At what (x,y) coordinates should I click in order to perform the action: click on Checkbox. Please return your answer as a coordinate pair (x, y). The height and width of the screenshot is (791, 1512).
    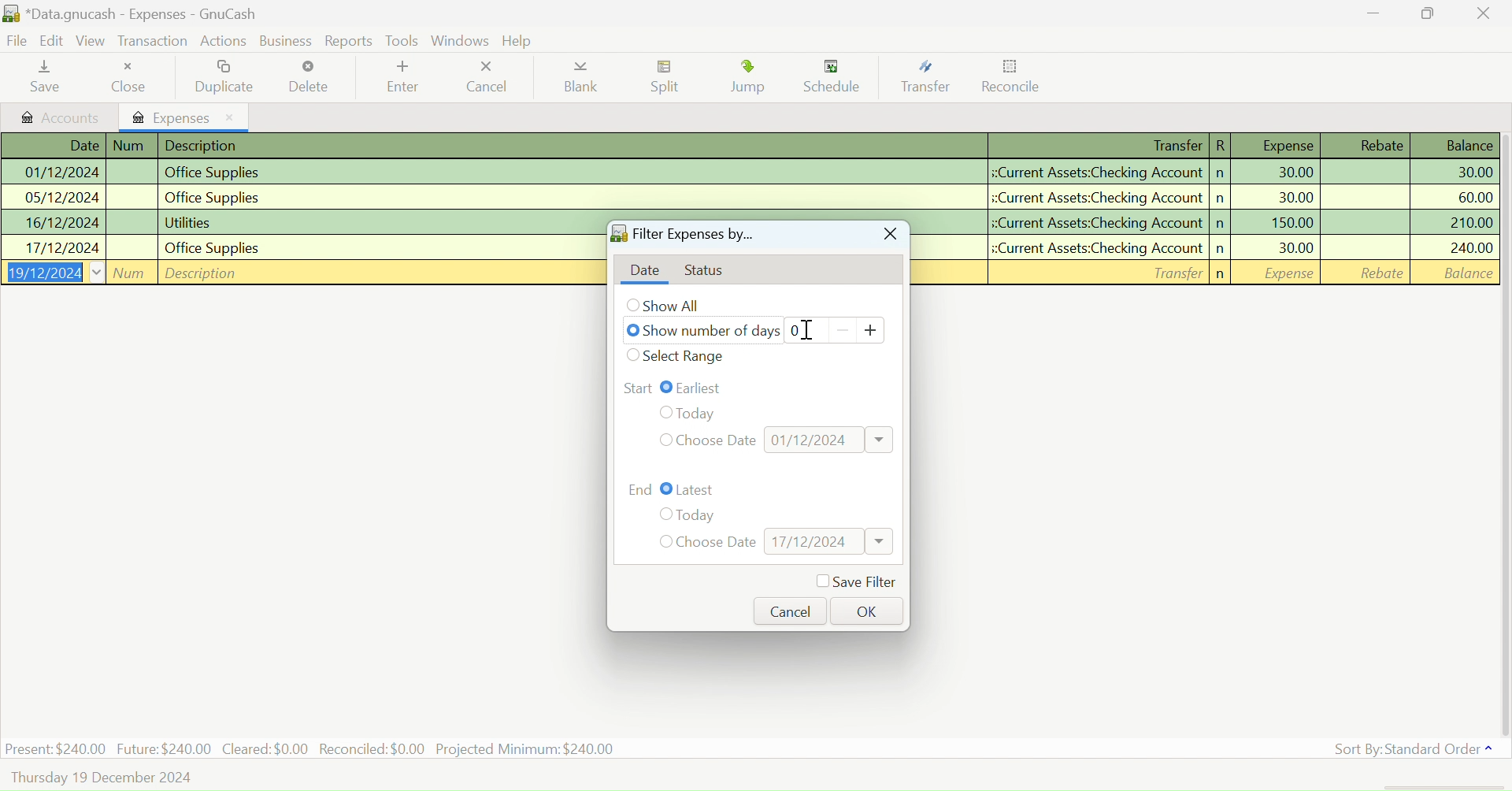
    Looking at the image, I should click on (667, 387).